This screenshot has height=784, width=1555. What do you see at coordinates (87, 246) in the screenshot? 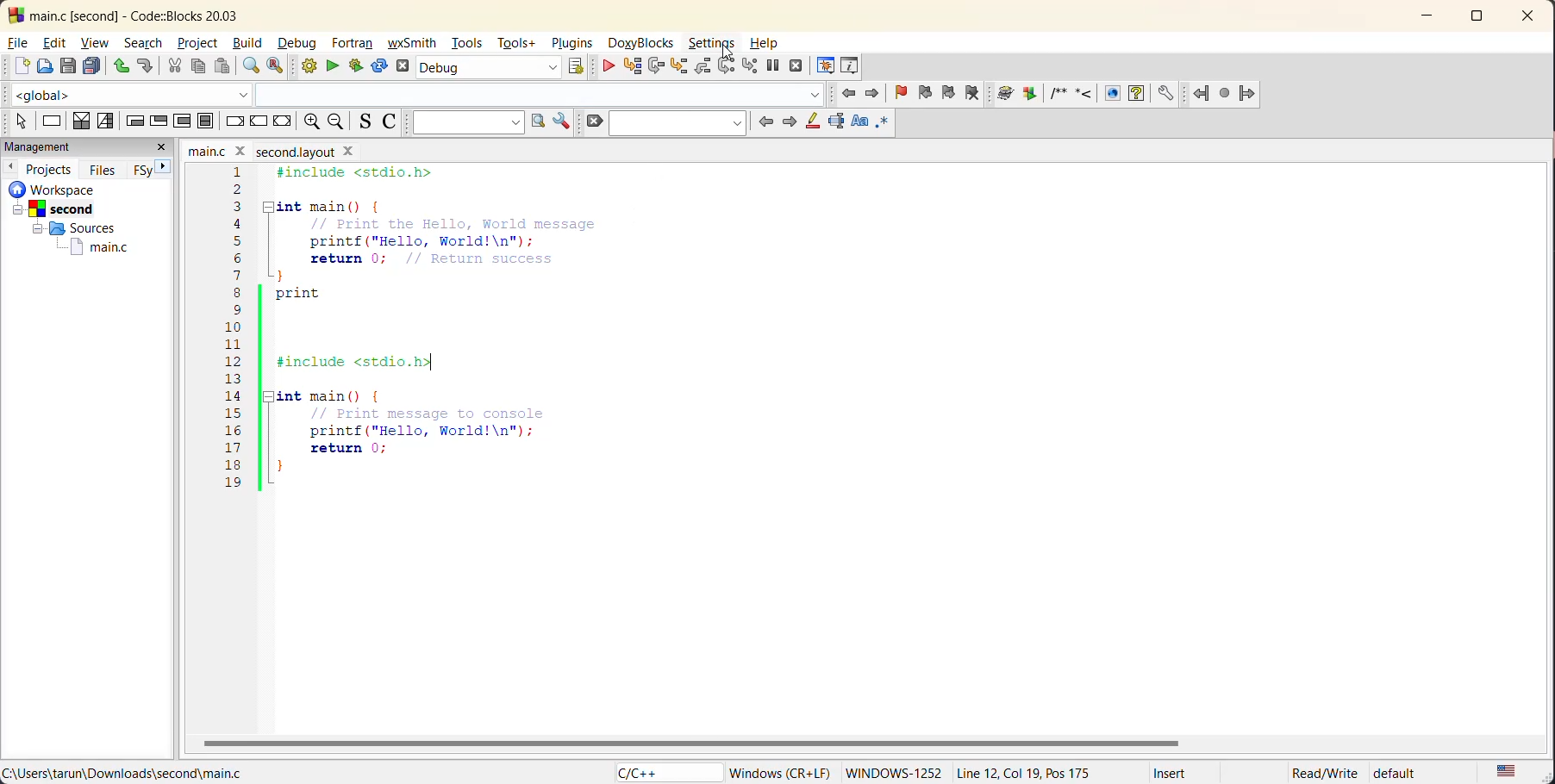
I see `main.c` at bounding box center [87, 246].